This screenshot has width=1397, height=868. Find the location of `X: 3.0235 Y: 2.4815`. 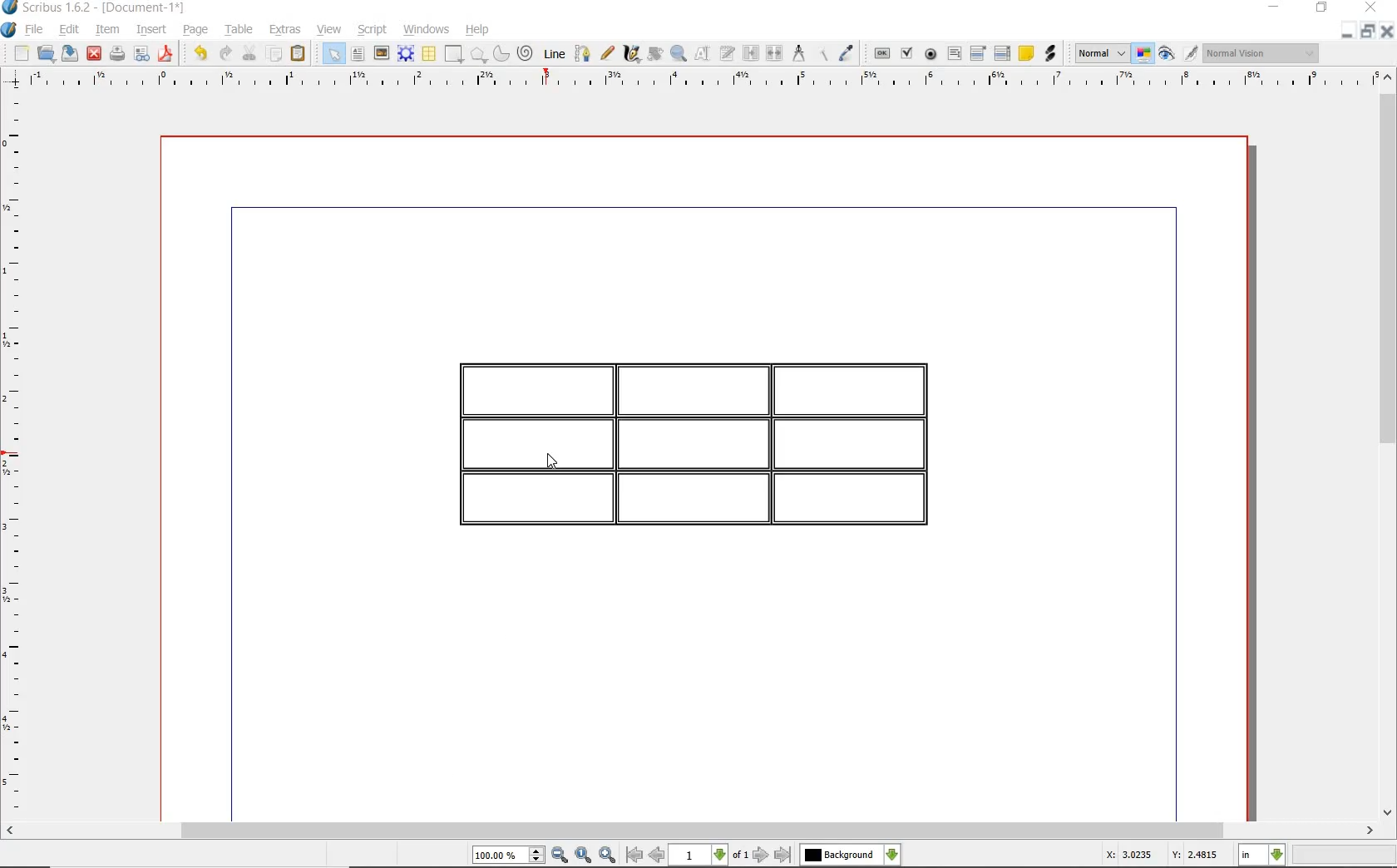

X: 3.0235 Y: 2.4815 is located at coordinates (1160, 855).